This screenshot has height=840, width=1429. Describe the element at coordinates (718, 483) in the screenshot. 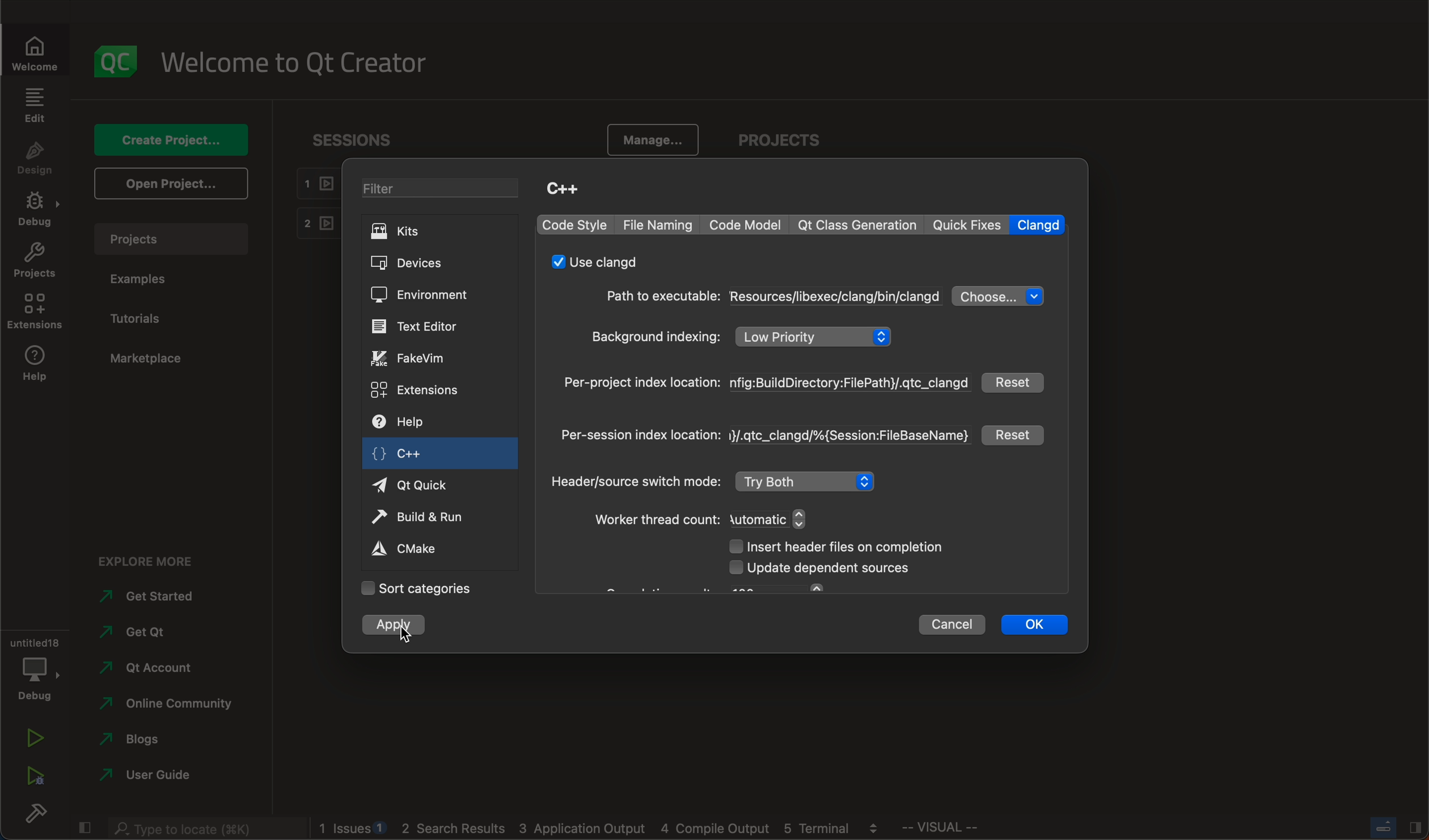

I see `mode` at that location.